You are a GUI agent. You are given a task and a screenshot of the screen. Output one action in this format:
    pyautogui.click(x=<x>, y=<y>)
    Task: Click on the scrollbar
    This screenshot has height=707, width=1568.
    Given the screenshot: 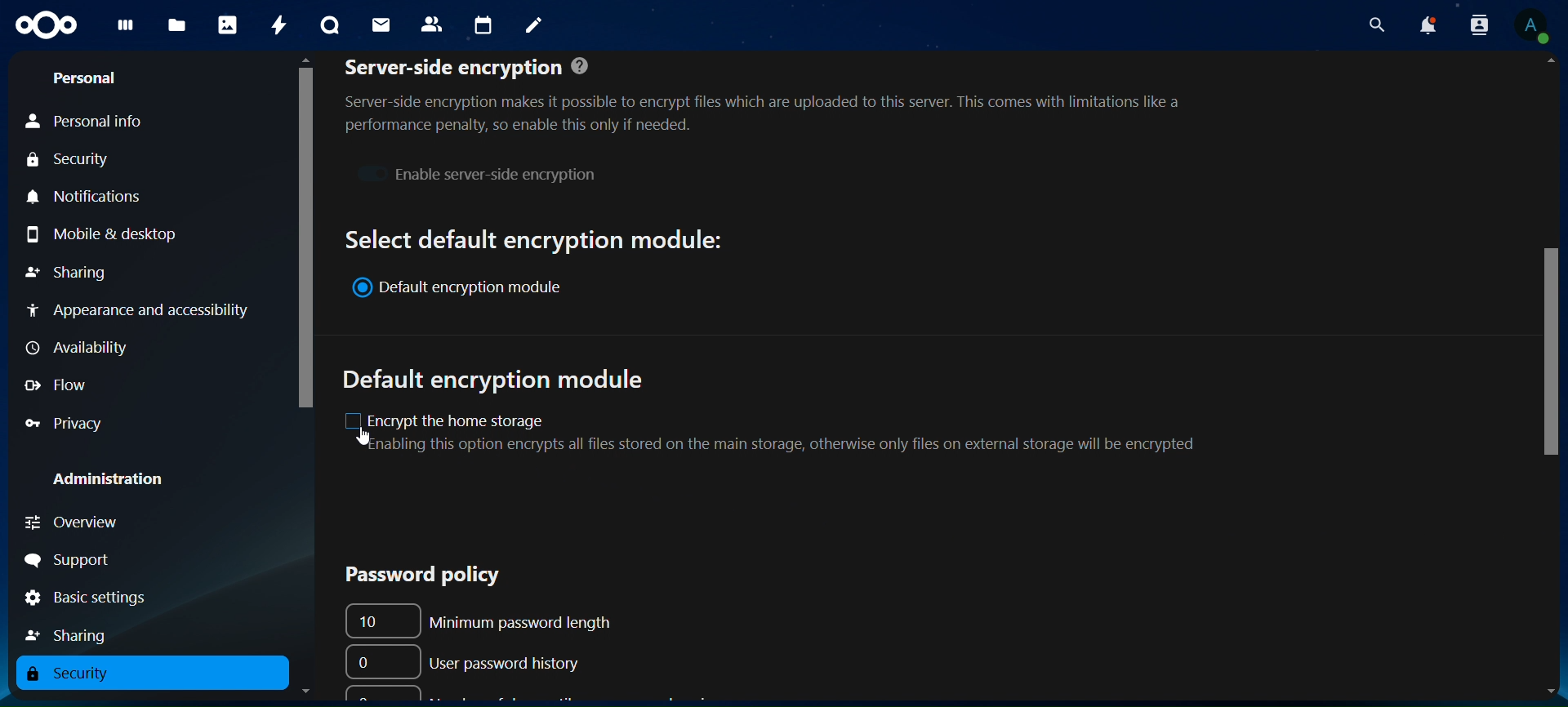 What is the action you would take?
    pyautogui.click(x=305, y=235)
    